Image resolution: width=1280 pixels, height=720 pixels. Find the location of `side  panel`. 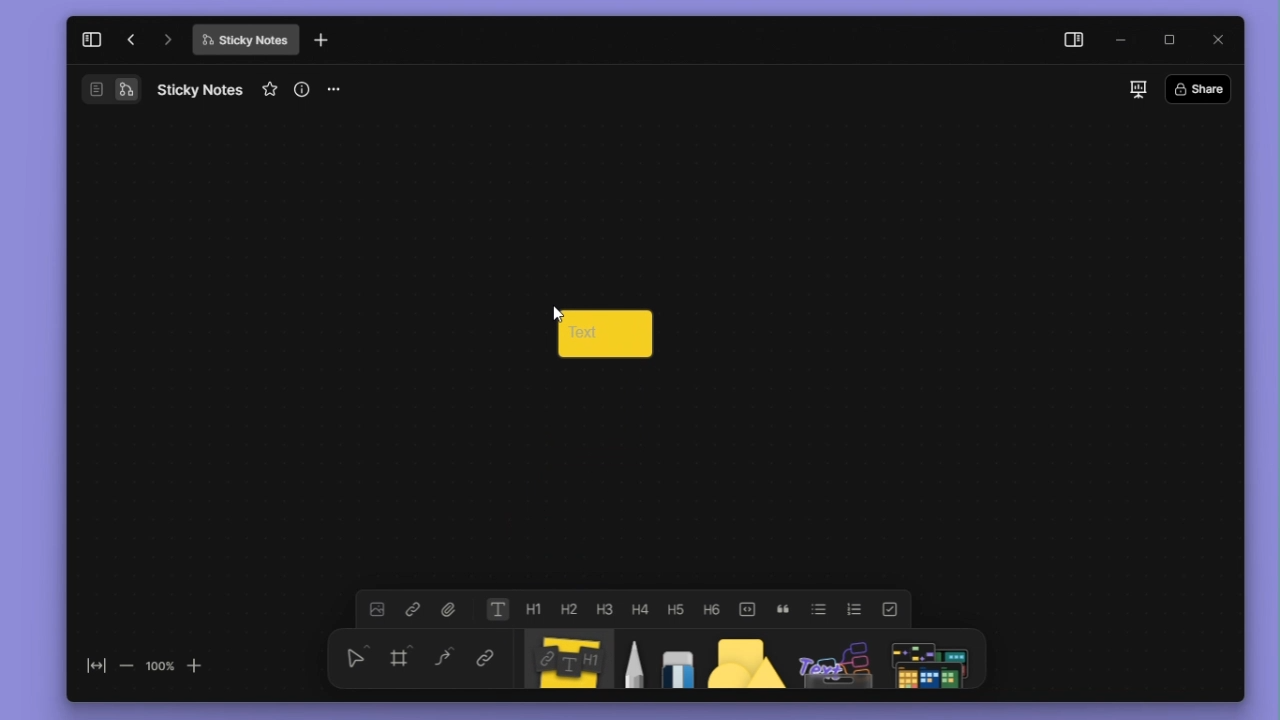

side  panel is located at coordinates (1070, 40).